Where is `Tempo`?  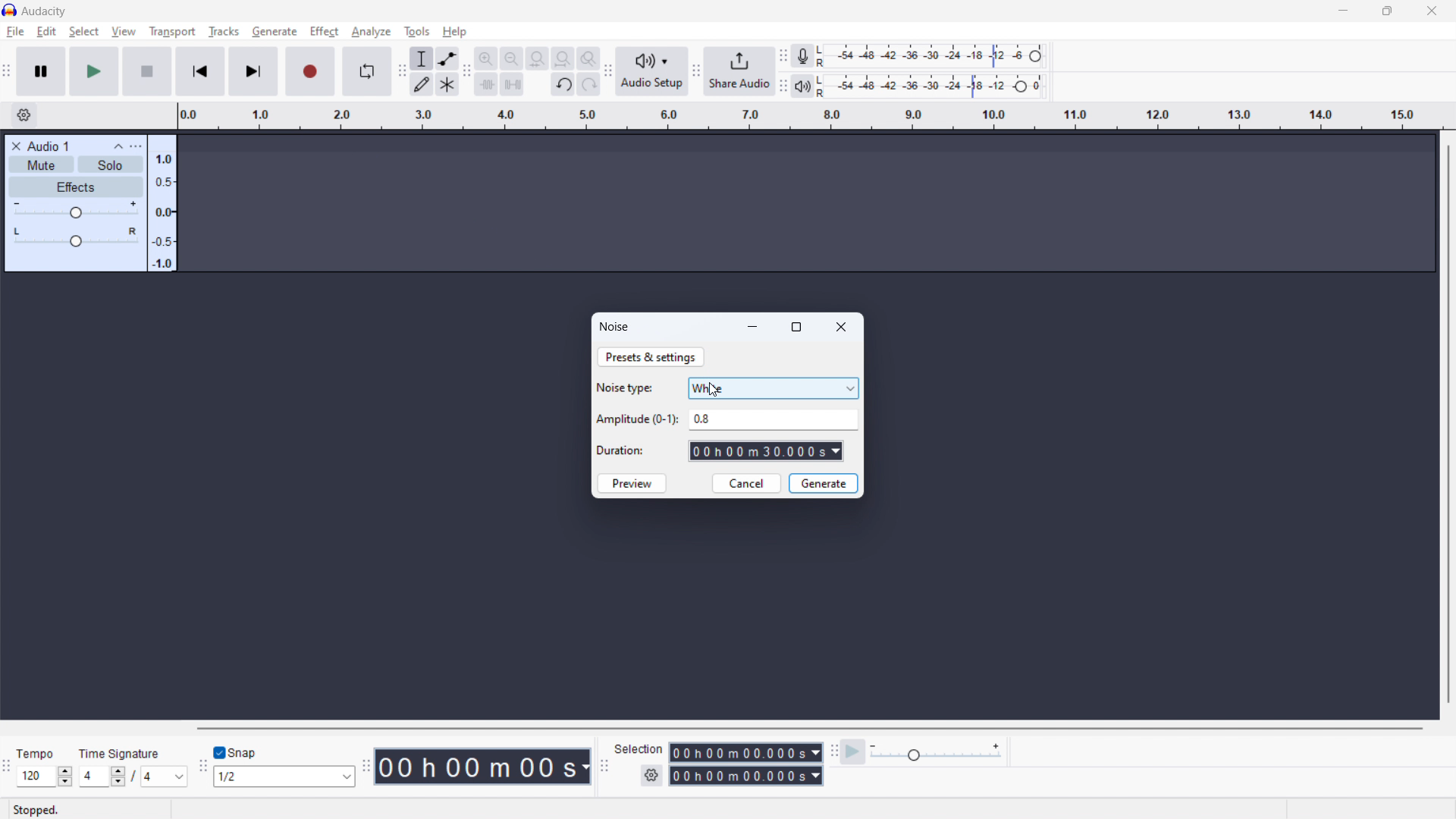
Tempo is located at coordinates (38, 753).